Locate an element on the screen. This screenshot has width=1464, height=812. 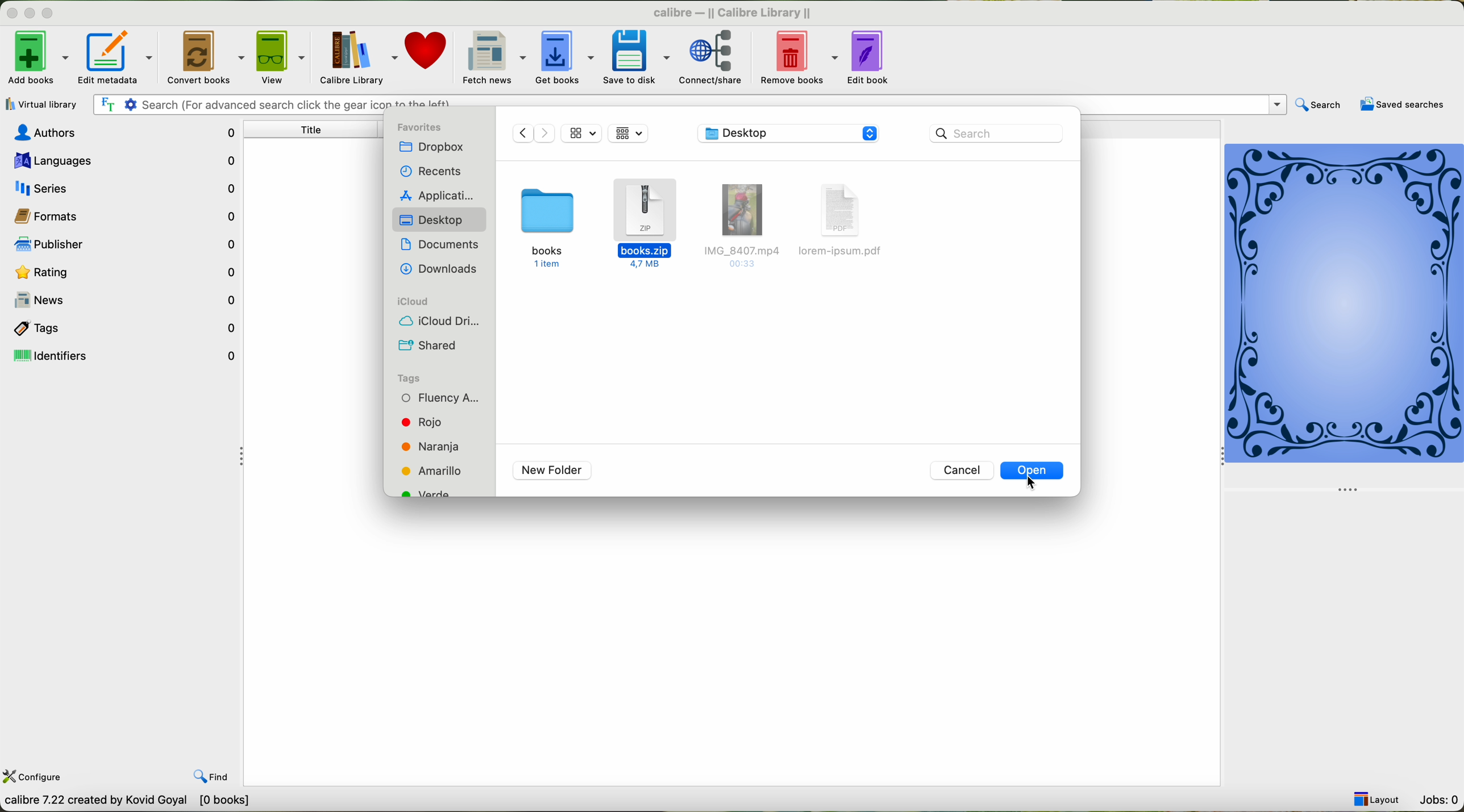
icloud drive is located at coordinates (439, 323).